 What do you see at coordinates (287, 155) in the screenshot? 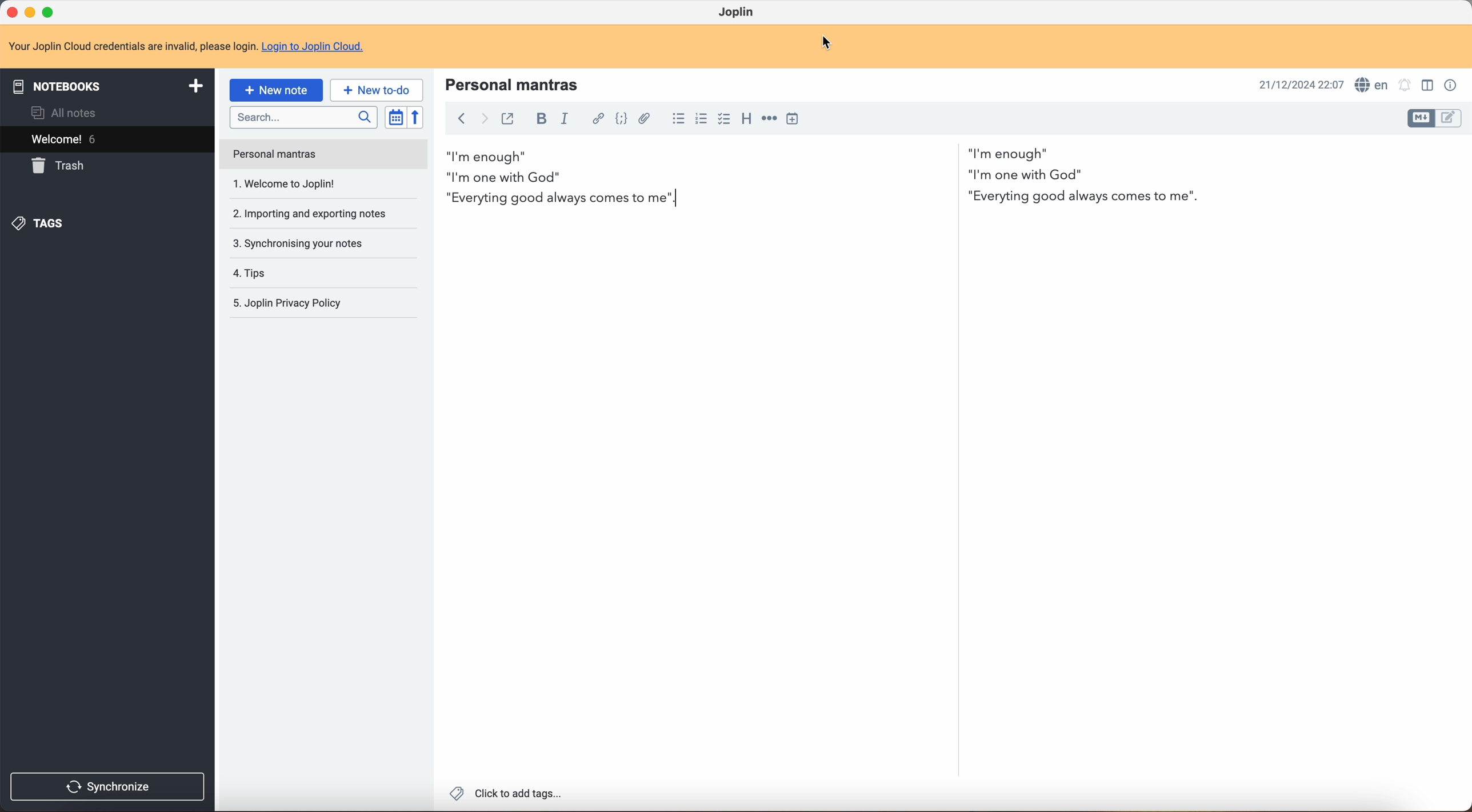
I see `welcome to Joplin` at bounding box center [287, 155].